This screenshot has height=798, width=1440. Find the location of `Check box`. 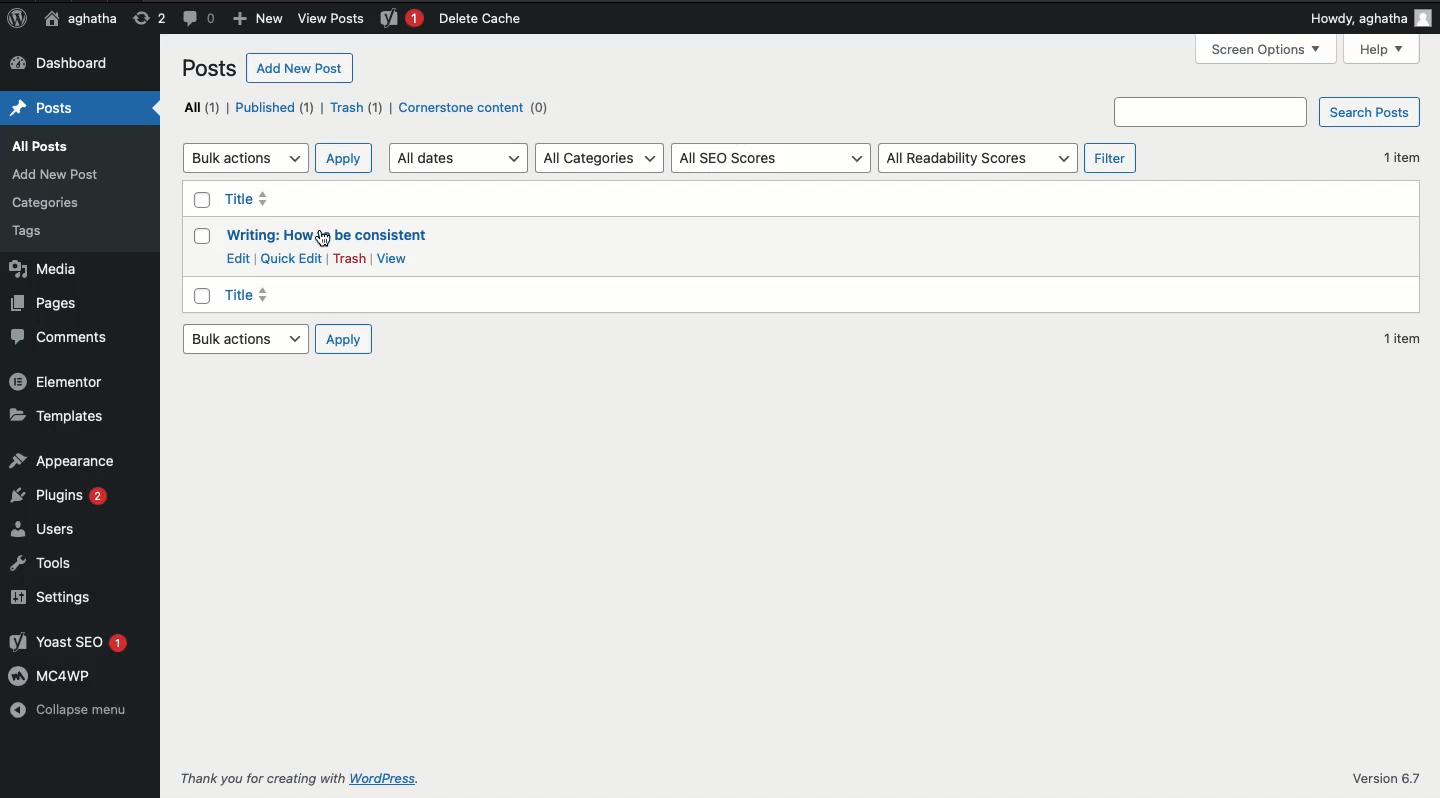

Check box is located at coordinates (200, 235).